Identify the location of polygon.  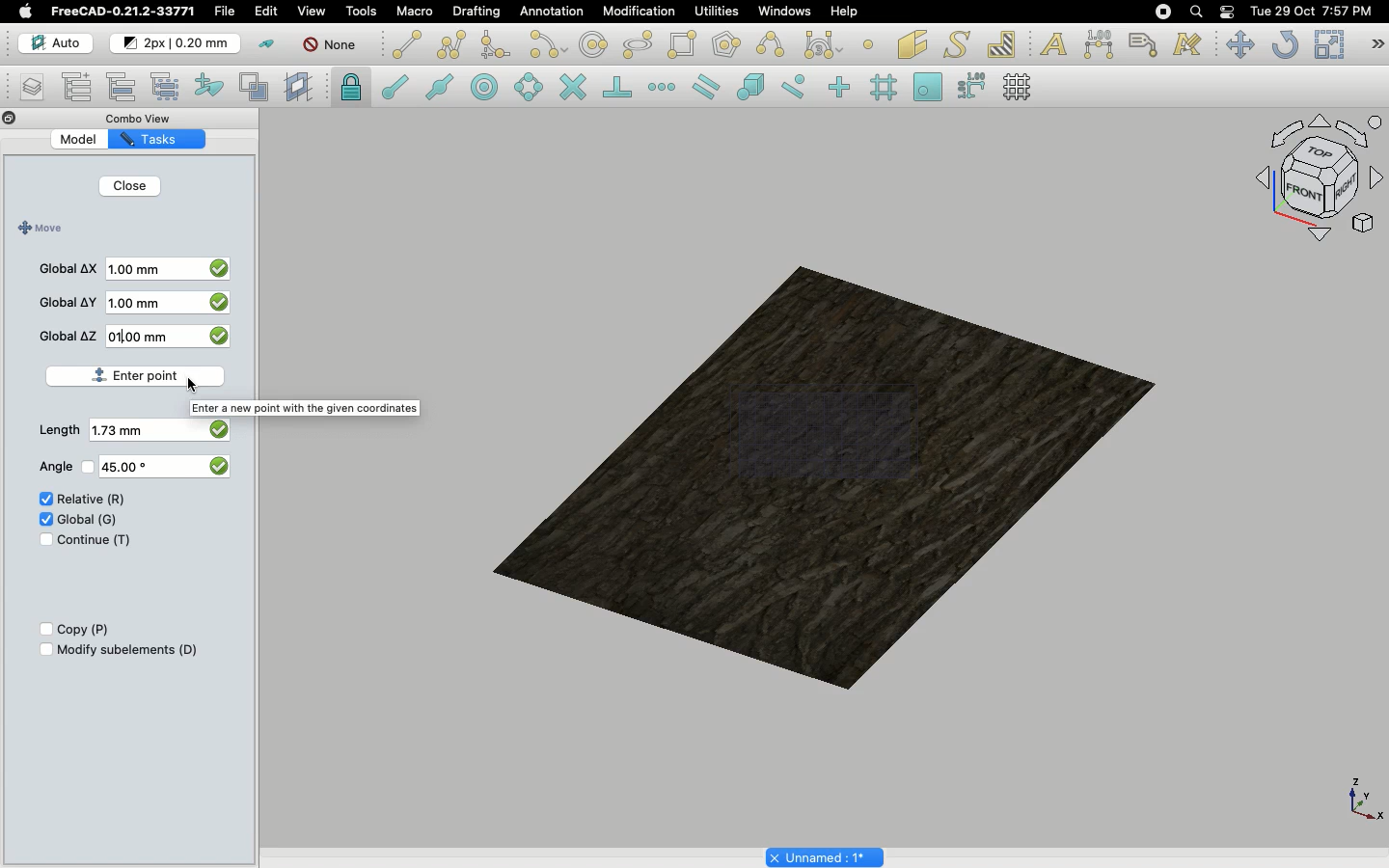
(639, 45).